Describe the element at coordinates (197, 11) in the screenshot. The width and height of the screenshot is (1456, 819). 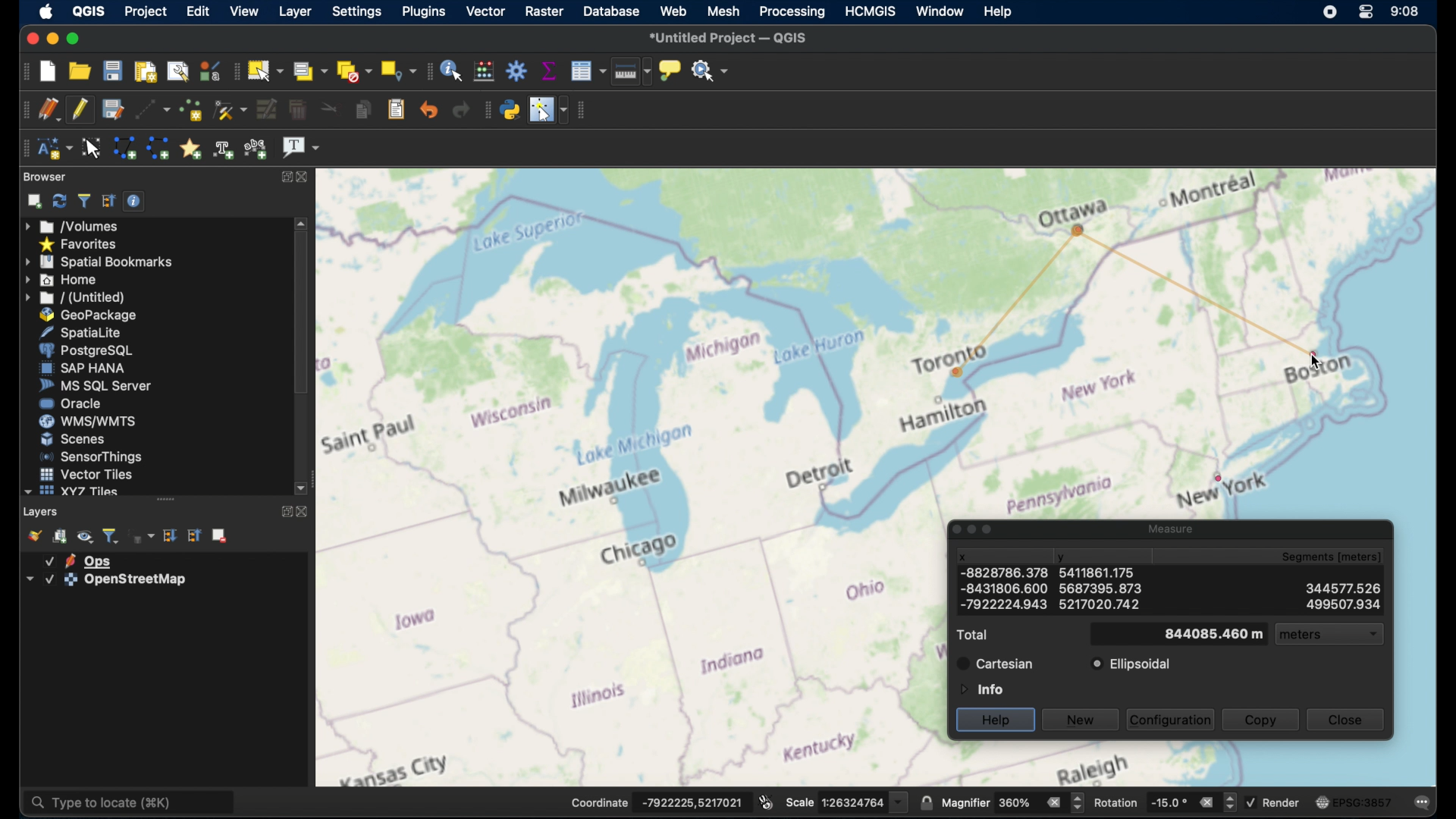
I see `edit` at that location.